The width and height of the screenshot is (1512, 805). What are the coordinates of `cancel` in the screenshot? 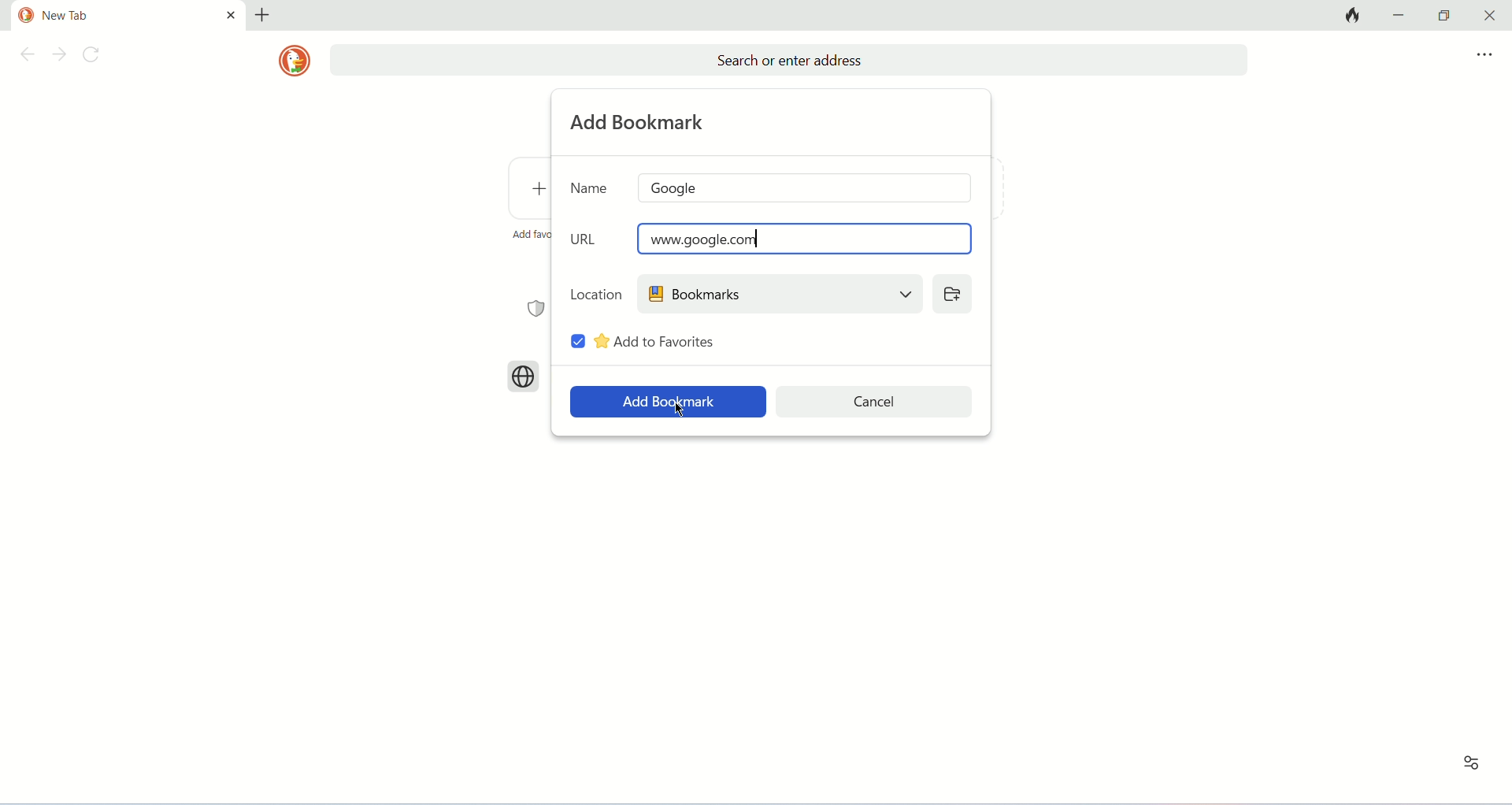 It's located at (876, 402).